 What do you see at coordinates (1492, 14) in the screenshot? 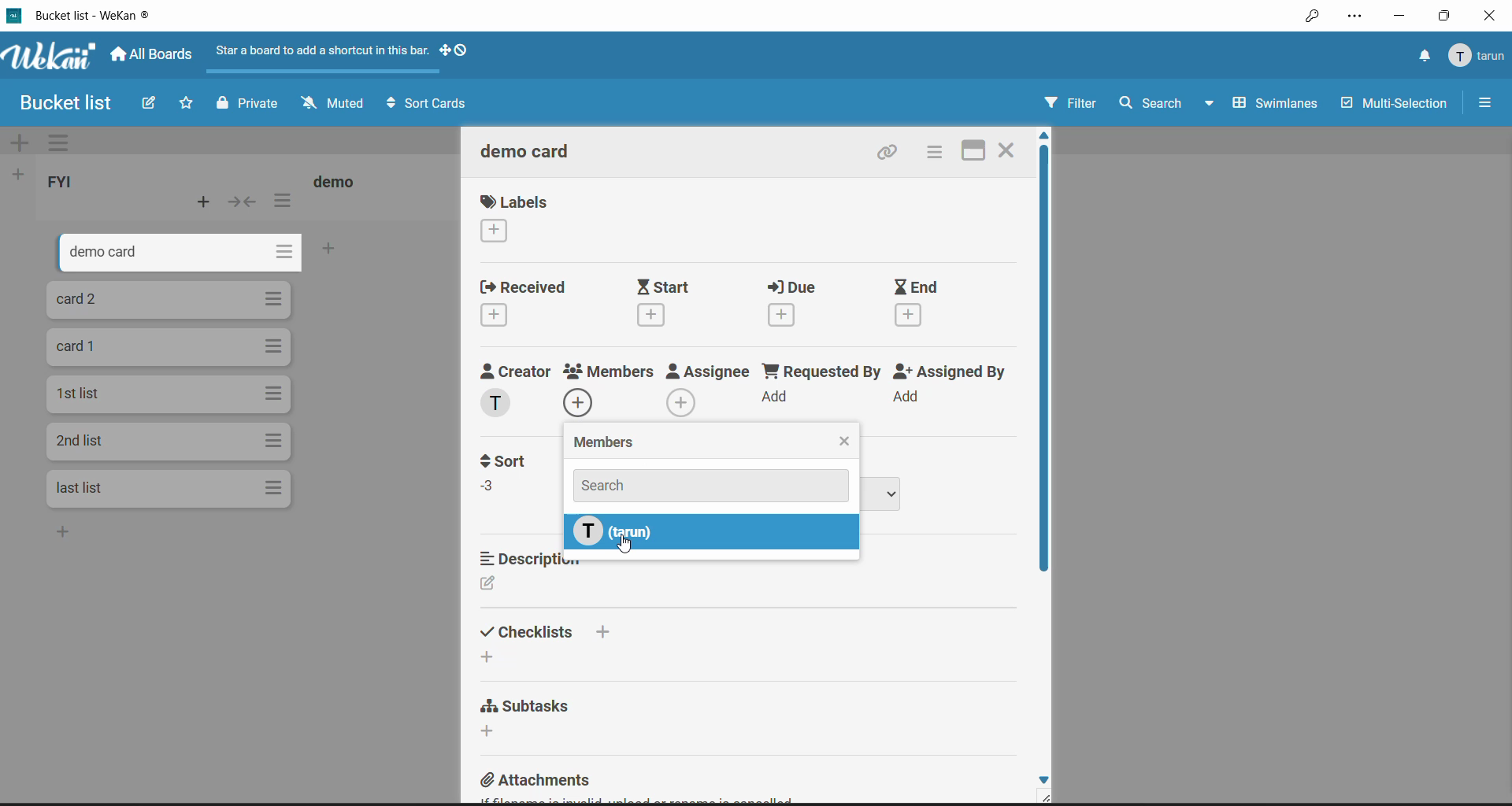
I see `close` at bounding box center [1492, 14].